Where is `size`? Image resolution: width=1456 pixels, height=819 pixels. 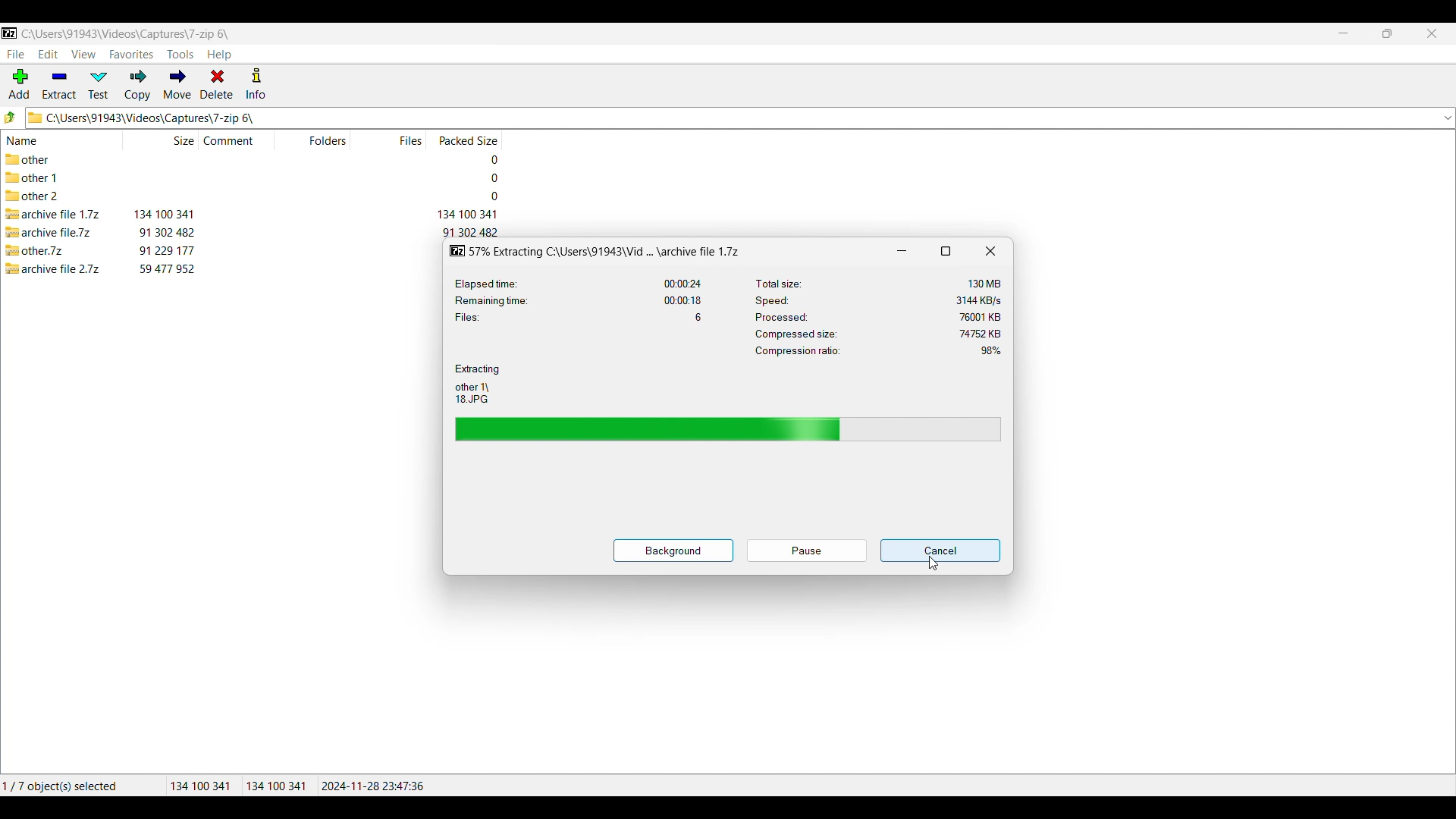 size is located at coordinates (166, 231).